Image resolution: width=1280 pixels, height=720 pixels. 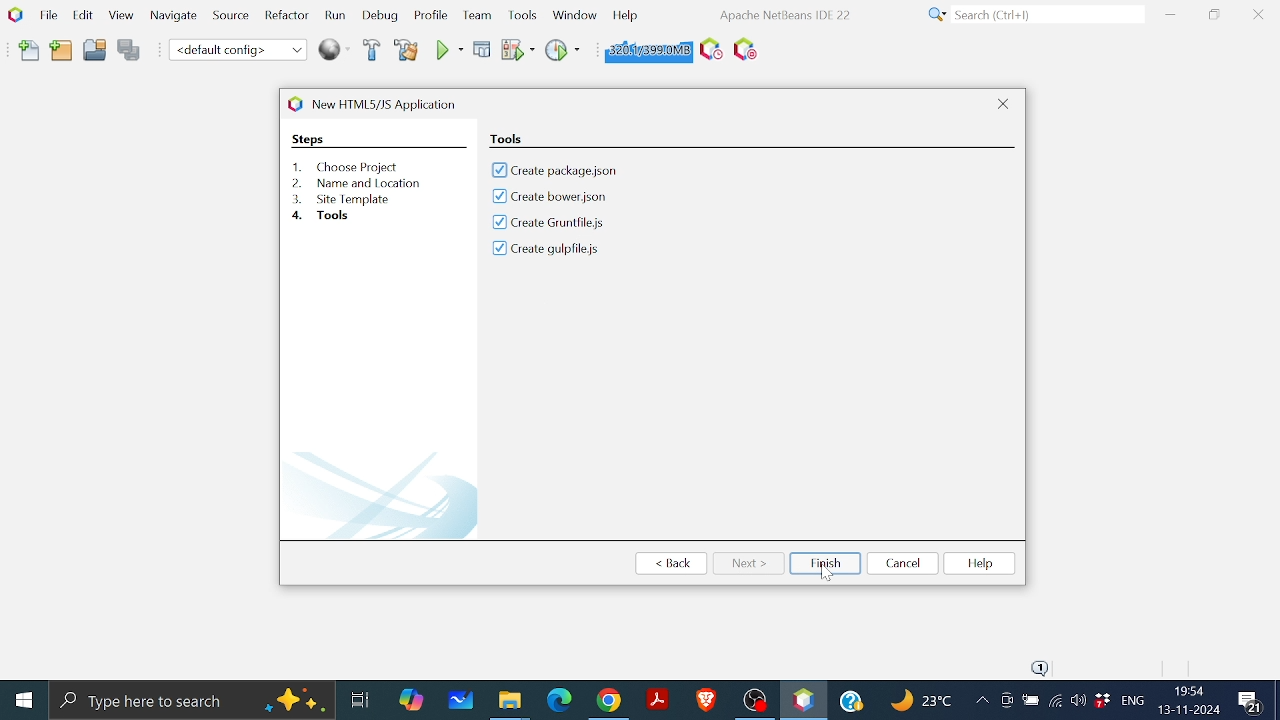 What do you see at coordinates (359, 697) in the screenshot?
I see `Task view` at bounding box center [359, 697].